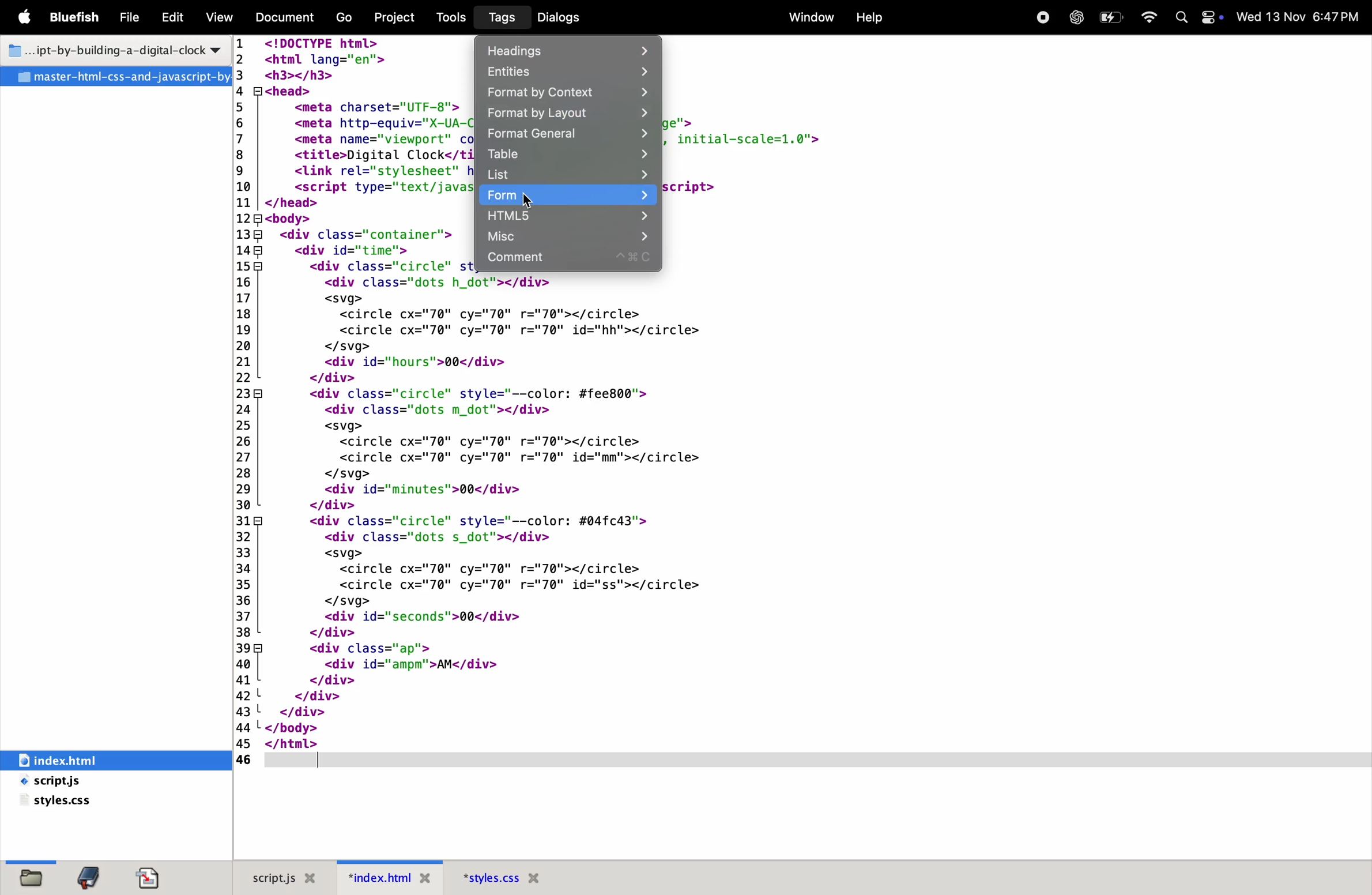 Image resolution: width=1372 pixels, height=895 pixels. What do you see at coordinates (78, 782) in the screenshot?
I see `script.js` at bounding box center [78, 782].